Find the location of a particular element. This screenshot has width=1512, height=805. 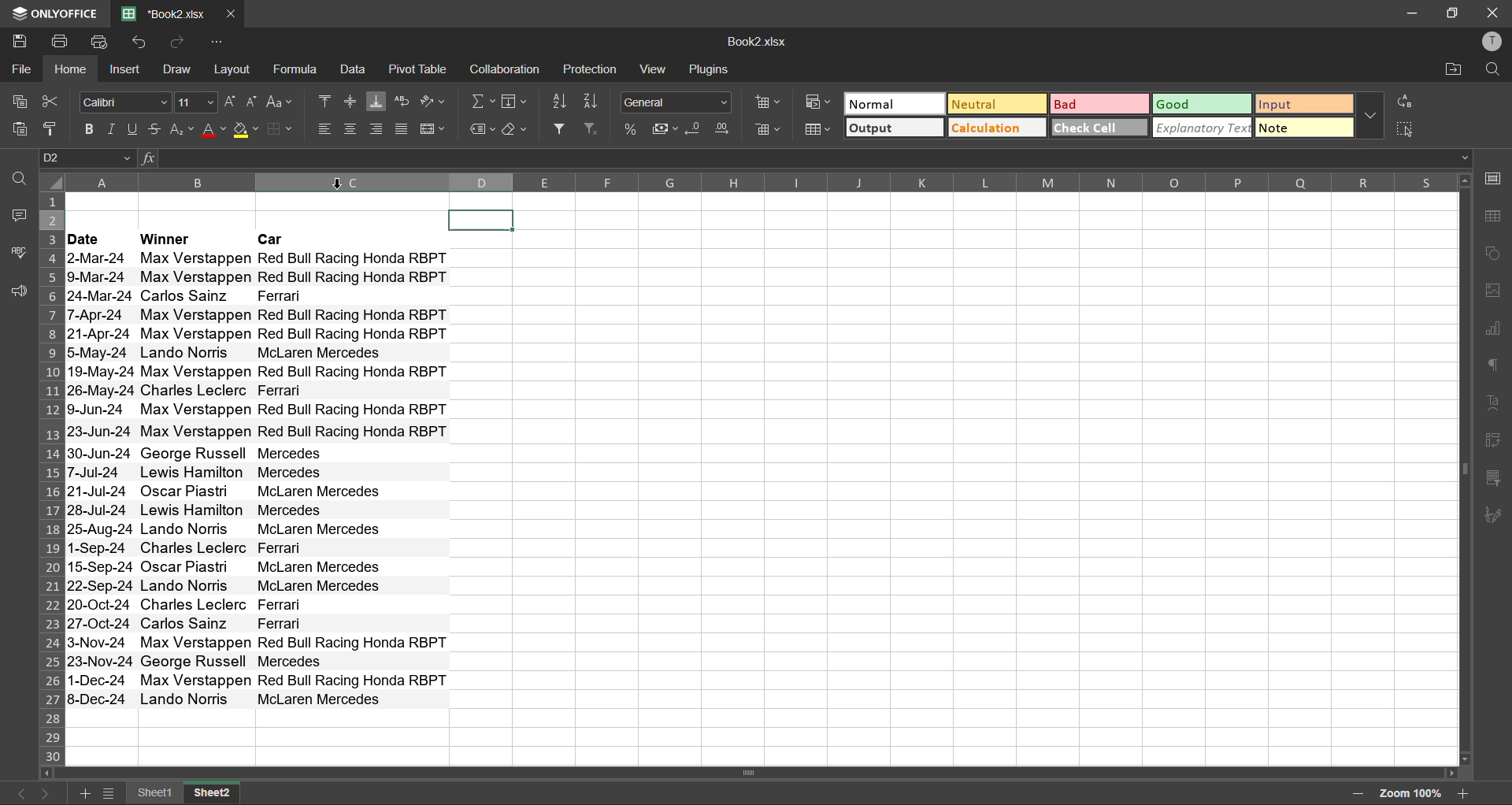

row numbers is located at coordinates (52, 478).